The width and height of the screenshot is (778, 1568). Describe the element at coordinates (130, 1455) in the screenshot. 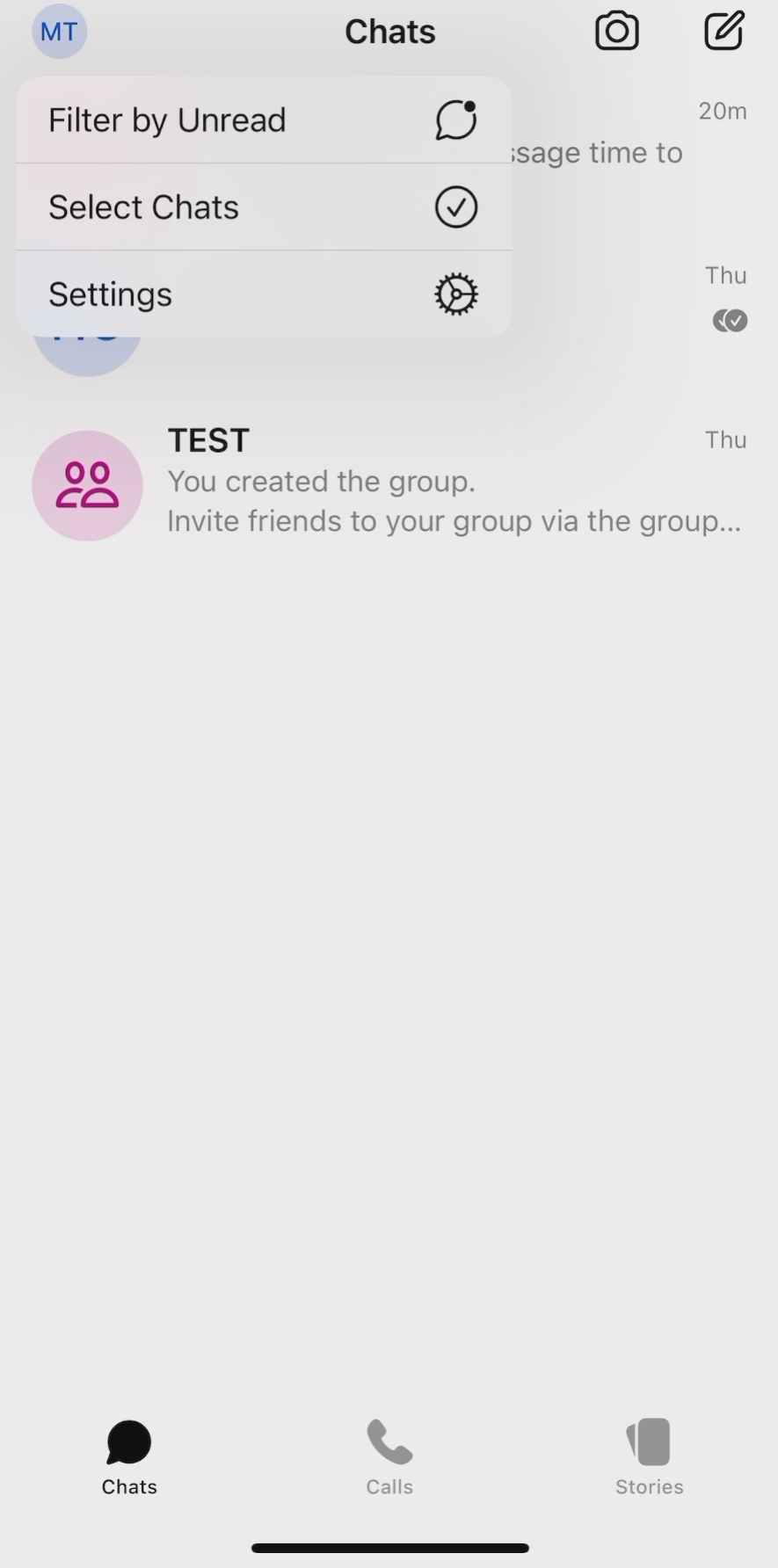

I see `chats` at that location.